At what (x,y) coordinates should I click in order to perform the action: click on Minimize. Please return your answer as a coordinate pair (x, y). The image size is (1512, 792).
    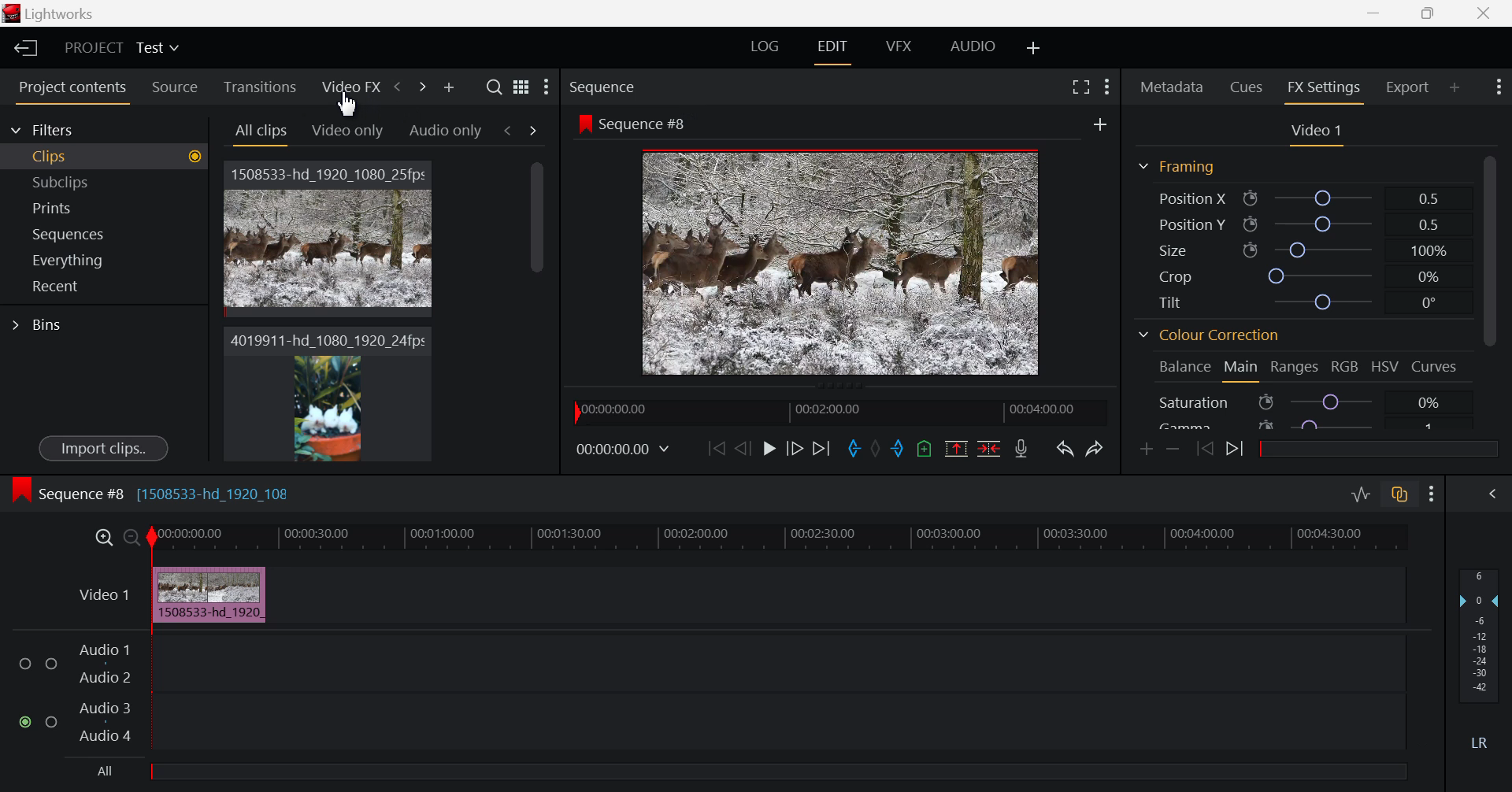
    Looking at the image, I should click on (1430, 13).